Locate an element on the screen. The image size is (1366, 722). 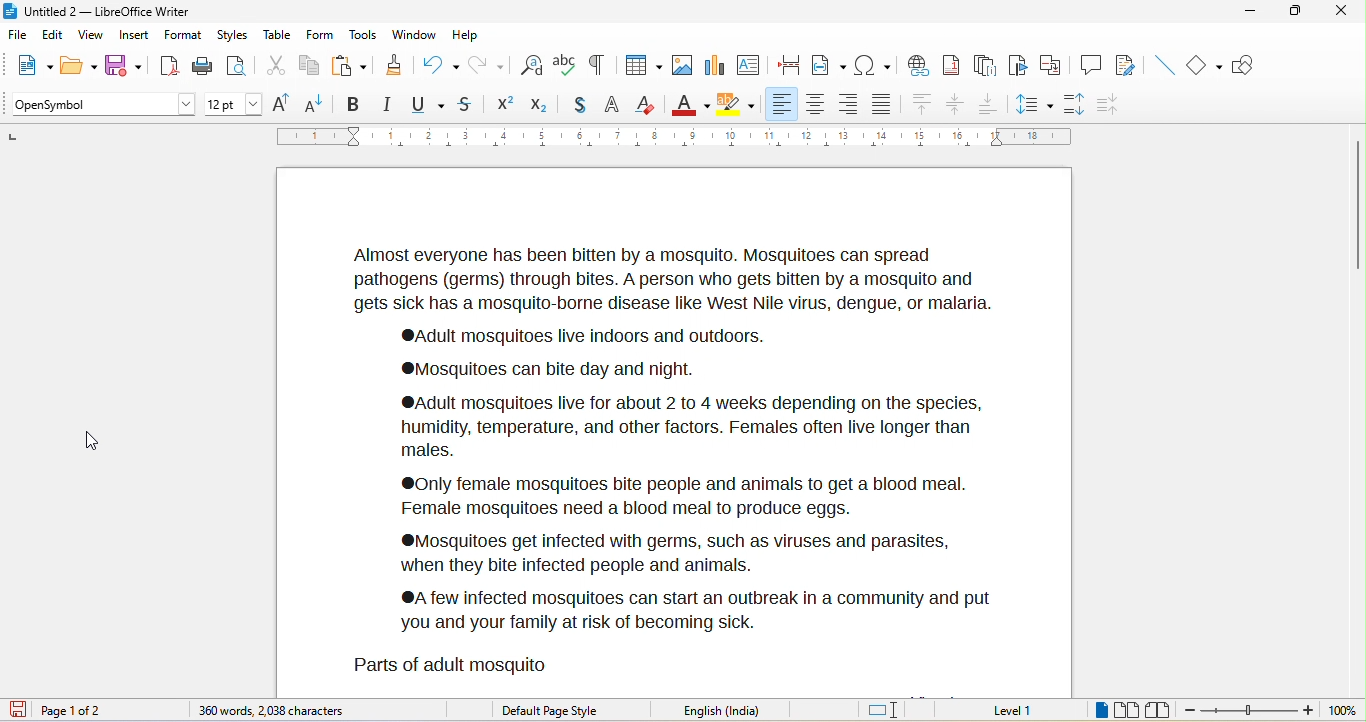
increase paragraph spacing is located at coordinates (1075, 105).